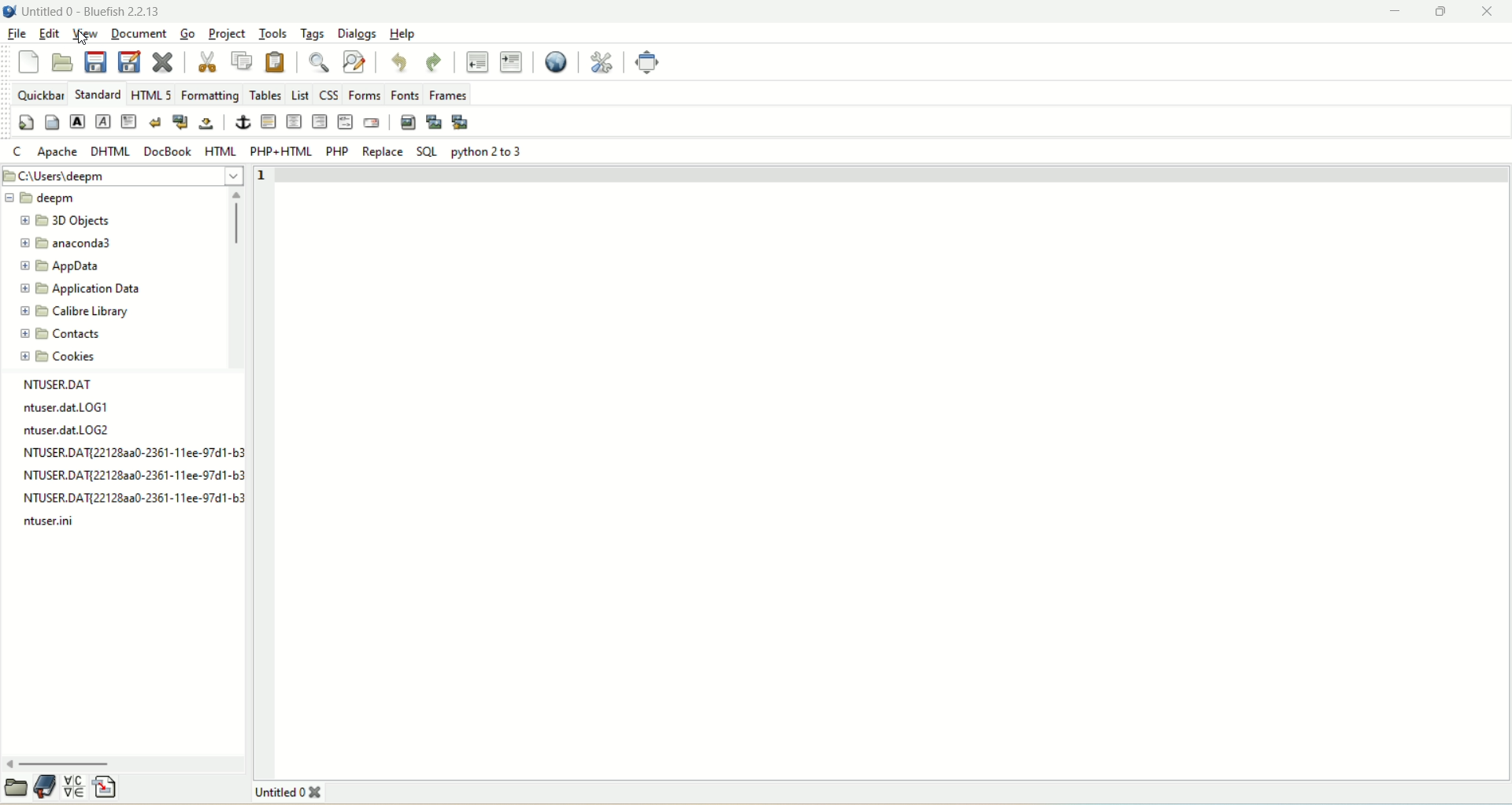 The height and width of the screenshot is (805, 1512). Describe the element at coordinates (80, 288) in the screenshot. I see `application` at that location.